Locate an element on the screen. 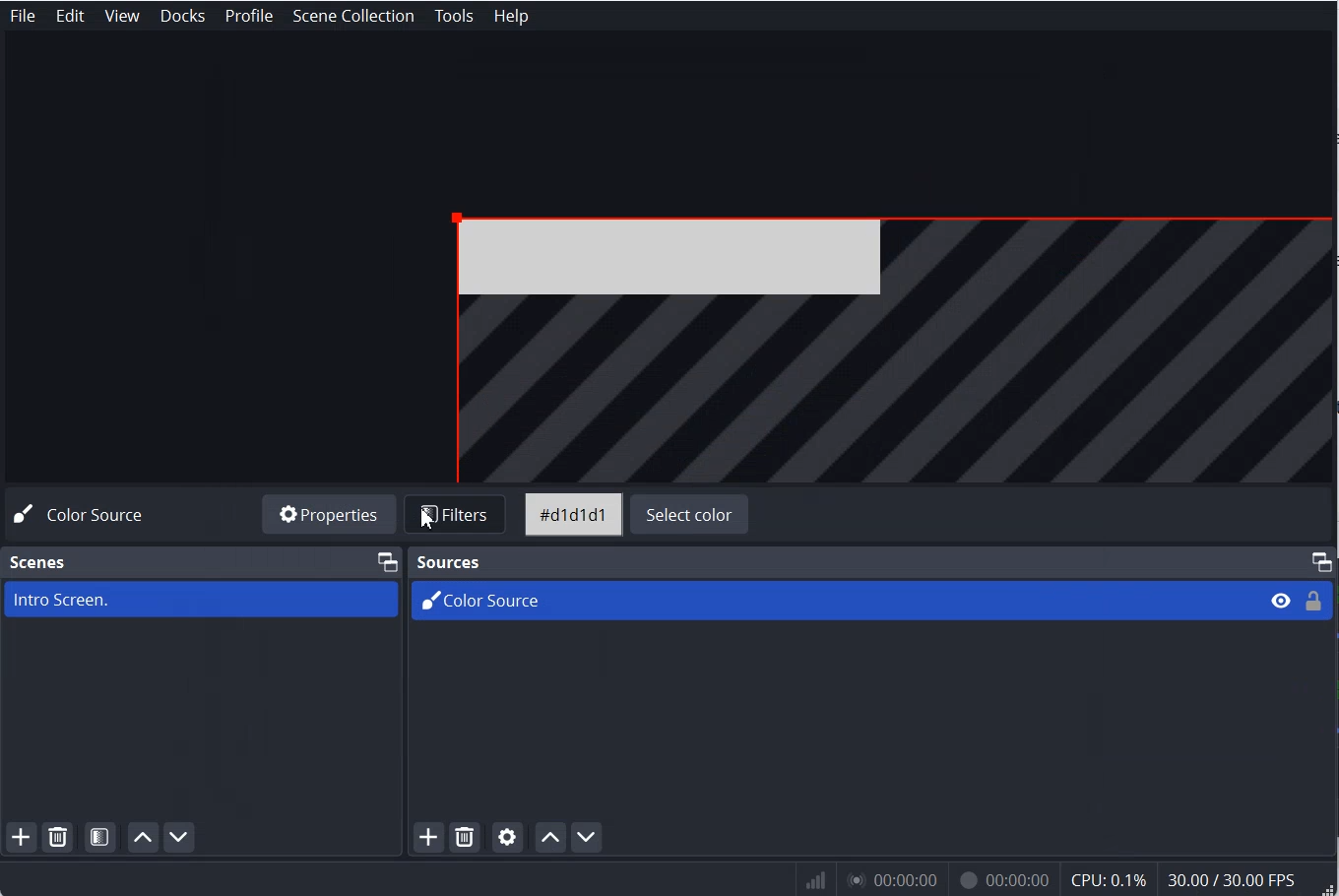 The width and height of the screenshot is (1339, 896). Properties is located at coordinates (331, 516).